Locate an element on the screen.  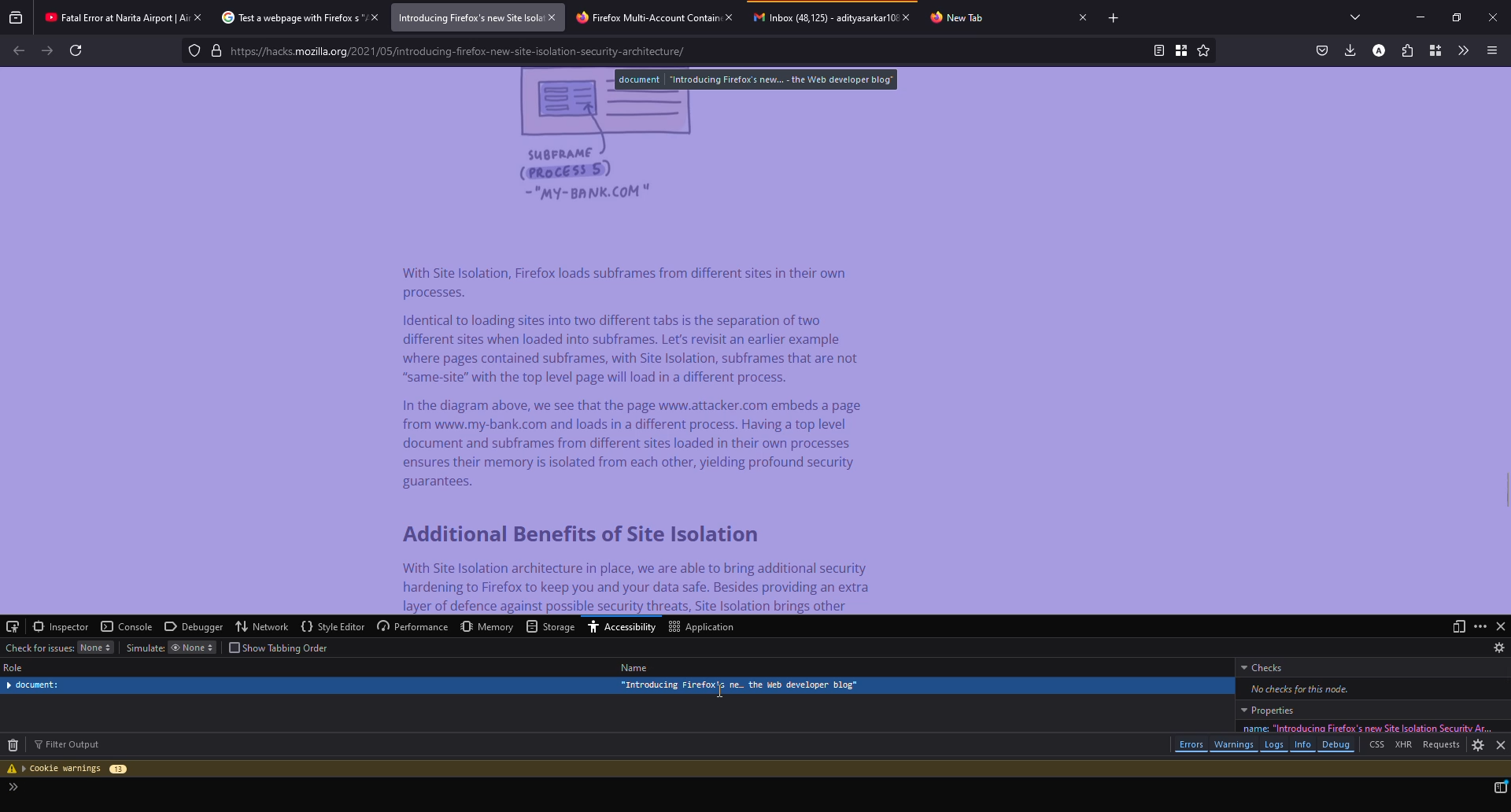
check is located at coordinates (1263, 667).